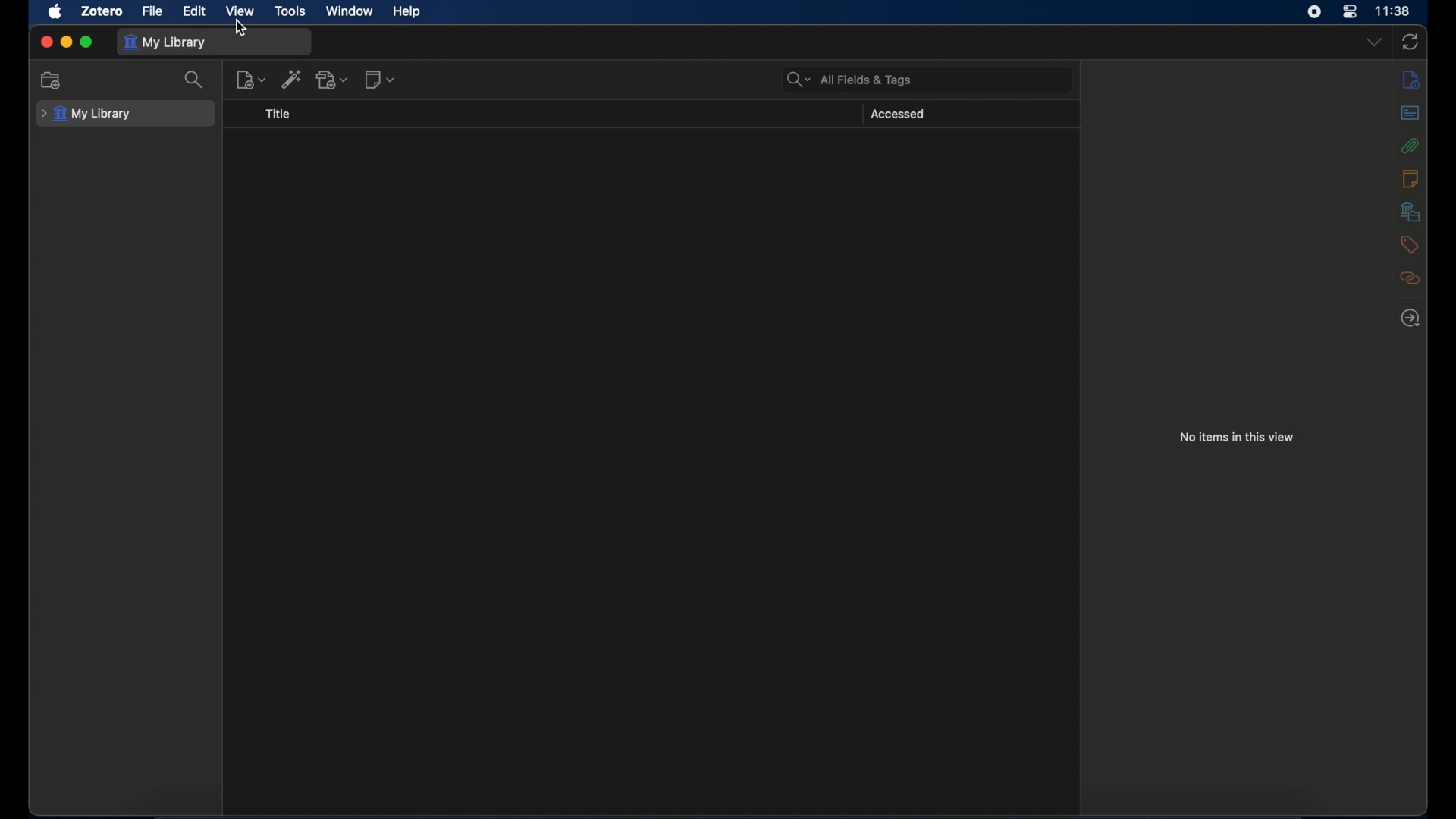 Image resolution: width=1456 pixels, height=819 pixels. I want to click on minimize, so click(67, 42).